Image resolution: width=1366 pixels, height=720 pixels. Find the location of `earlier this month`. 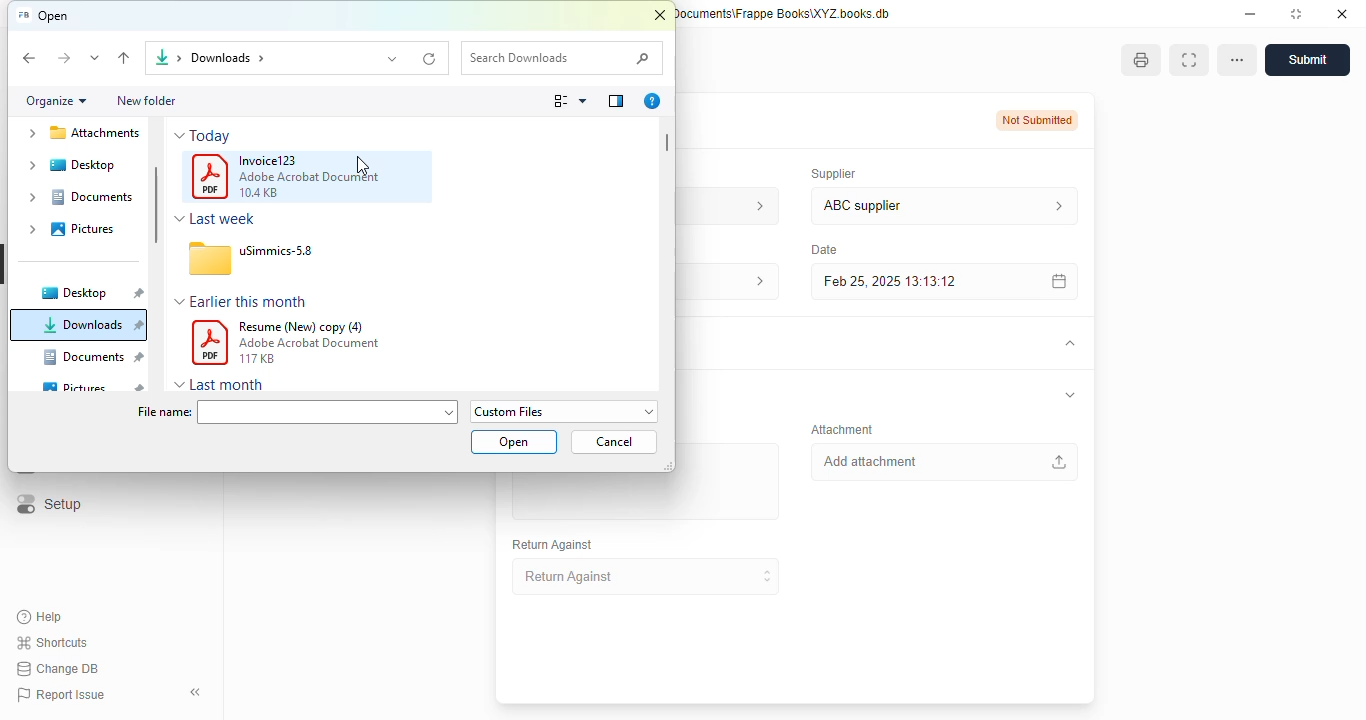

earlier this month is located at coordinates (249, 300).